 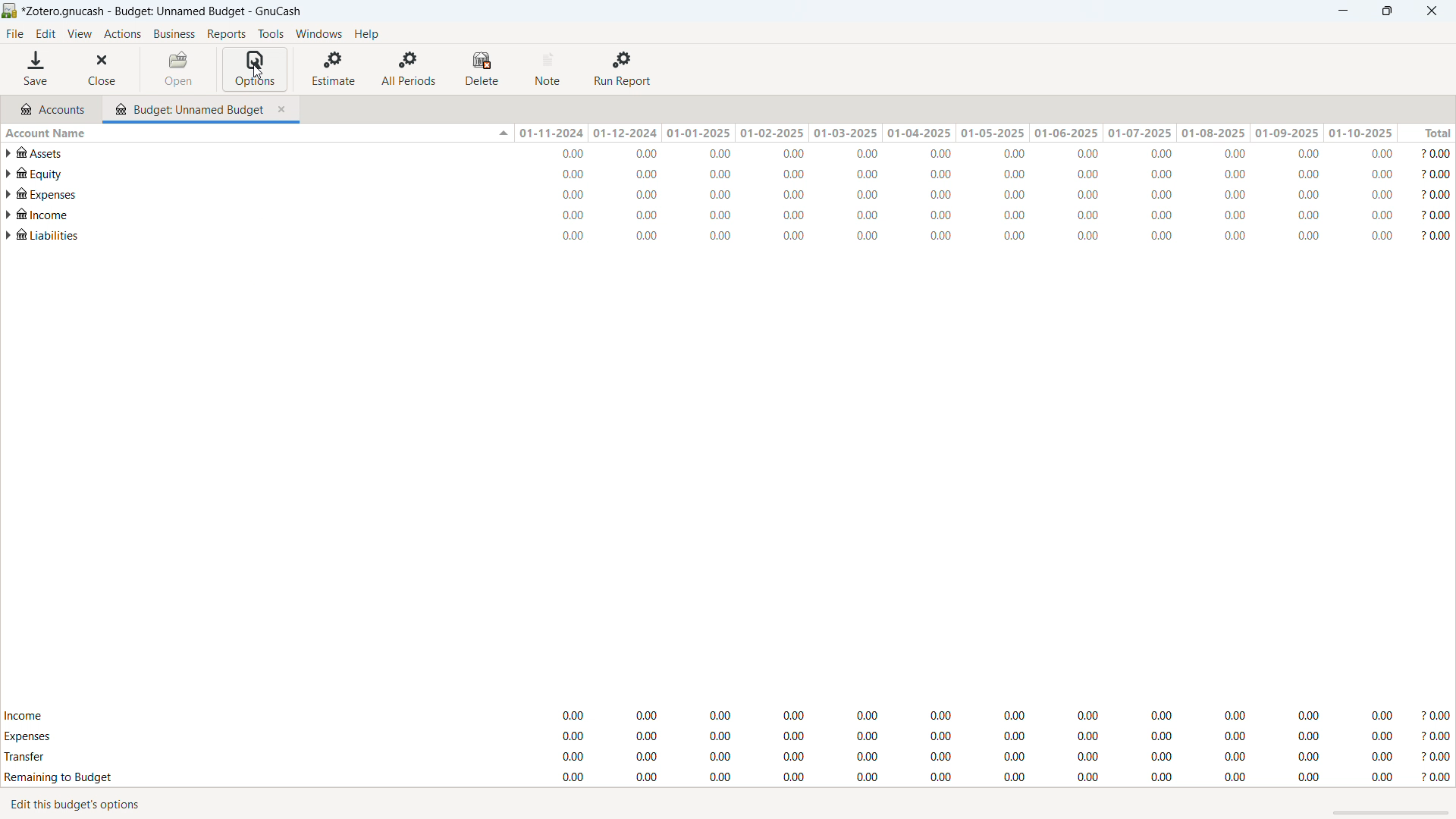 What do you see at coordinates (1066, 133) in the screenshot?
I see `01-06-2025` at bounding box center [1066, 133].